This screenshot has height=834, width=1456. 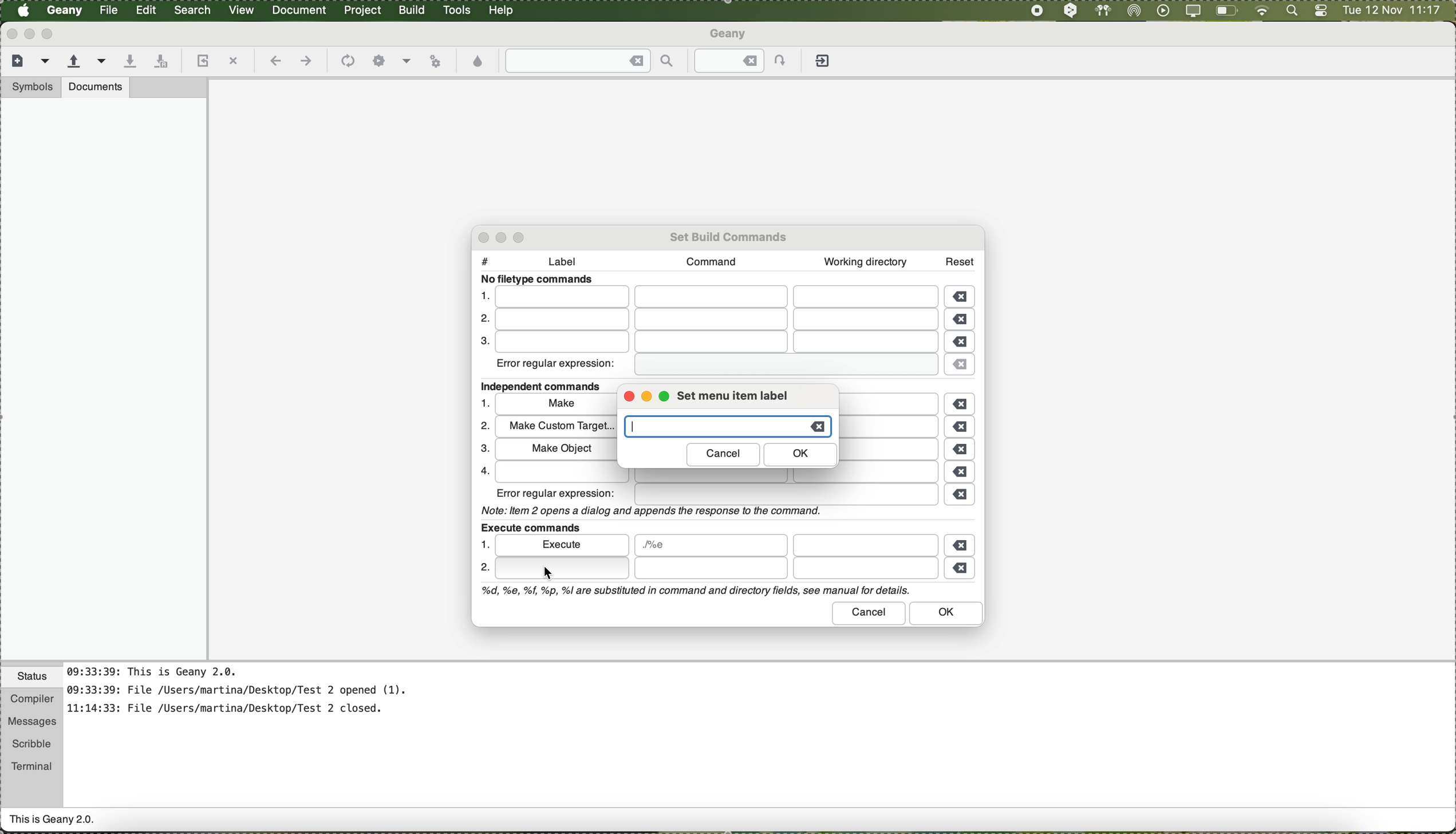 What do you see at coordinates (870, 613) in the screenshot?
I see `cancel button` at bounding box center [870, 613].